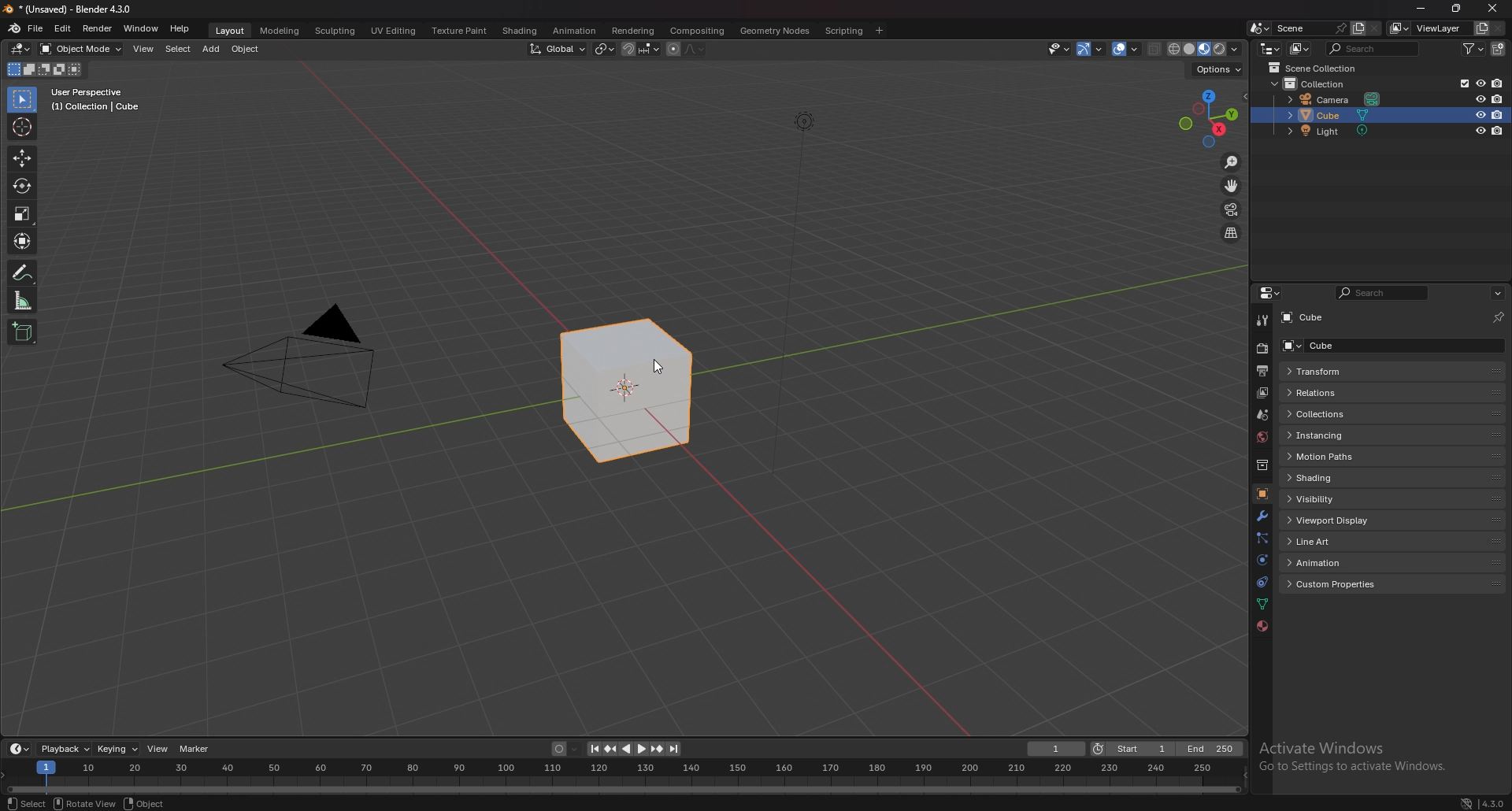 The width and height of the screenshot is (1512, 811). I want to click on animation, so click(575, 31).